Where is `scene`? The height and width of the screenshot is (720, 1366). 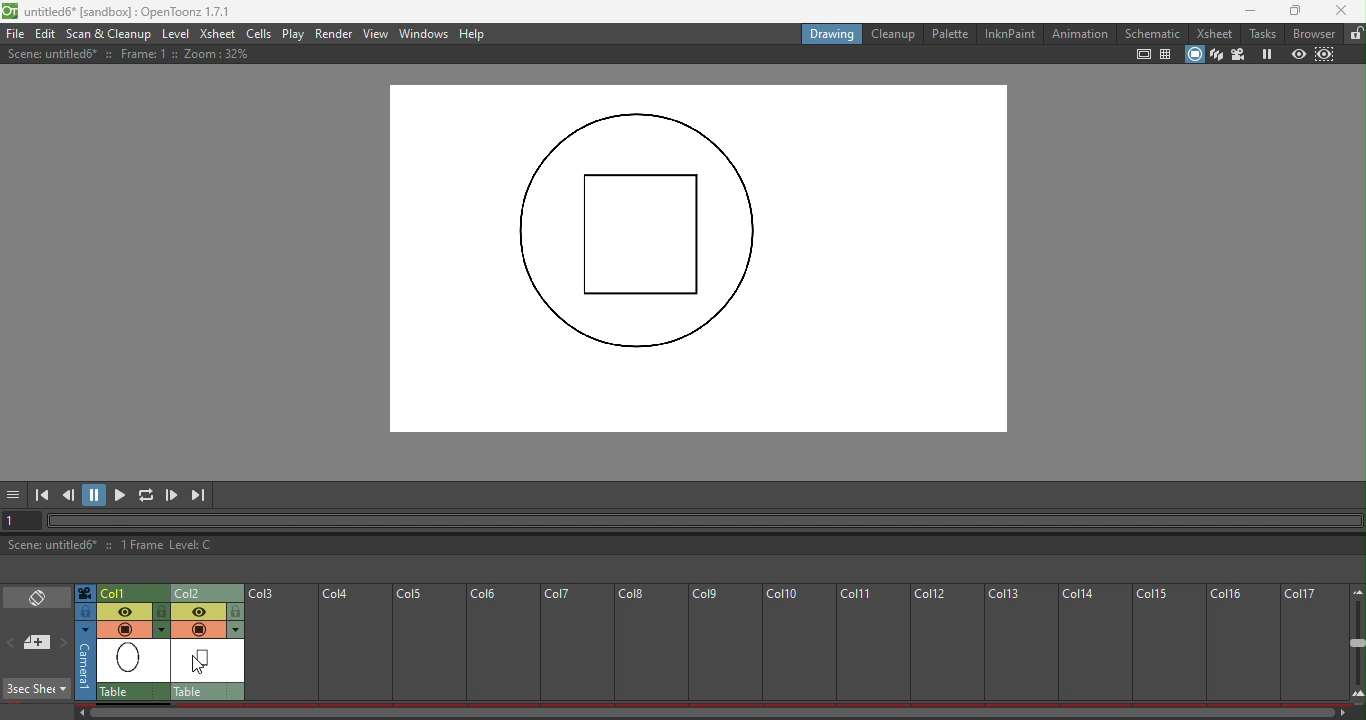
scene is located at coordinates (134, 661).